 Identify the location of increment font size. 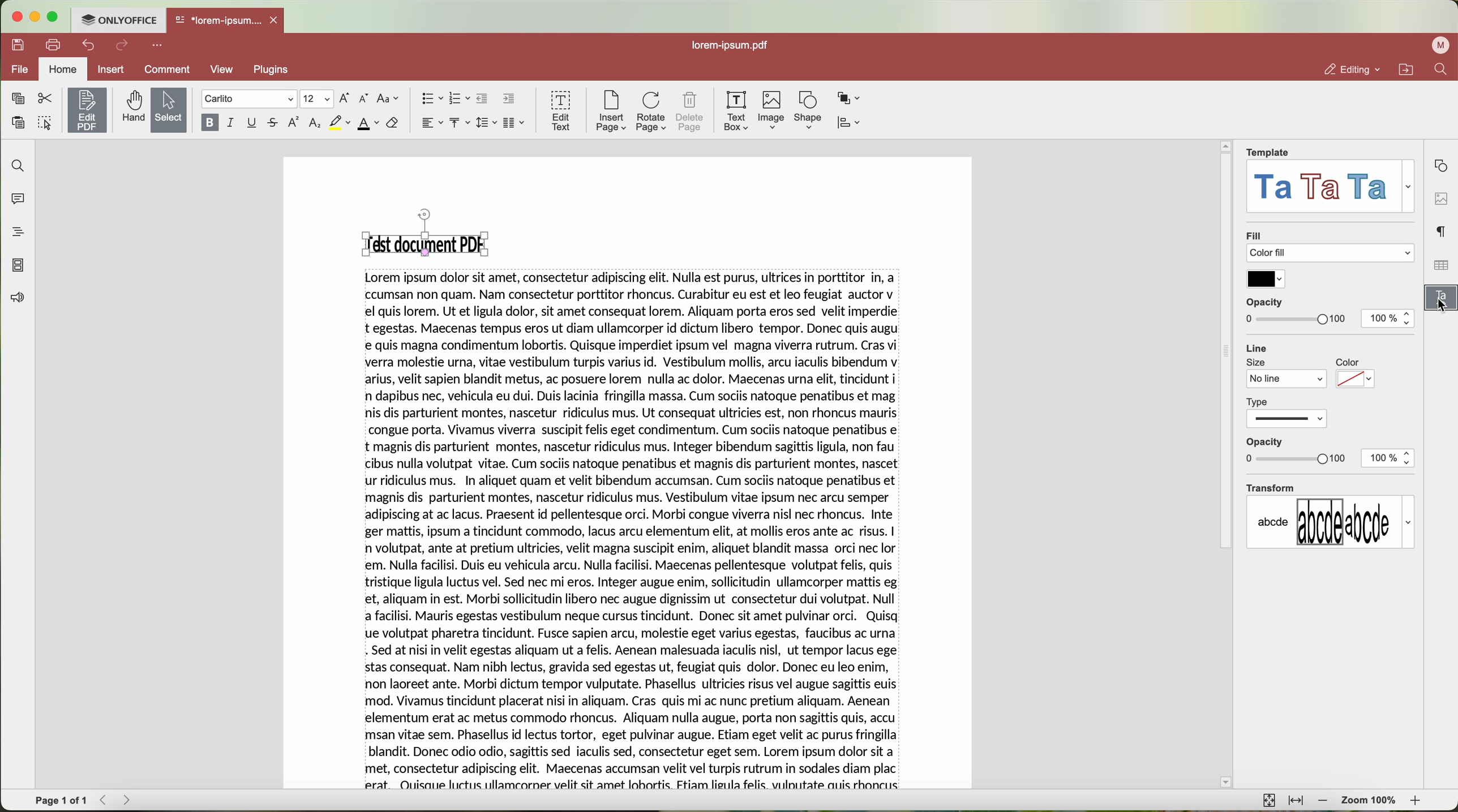
(345, 98).